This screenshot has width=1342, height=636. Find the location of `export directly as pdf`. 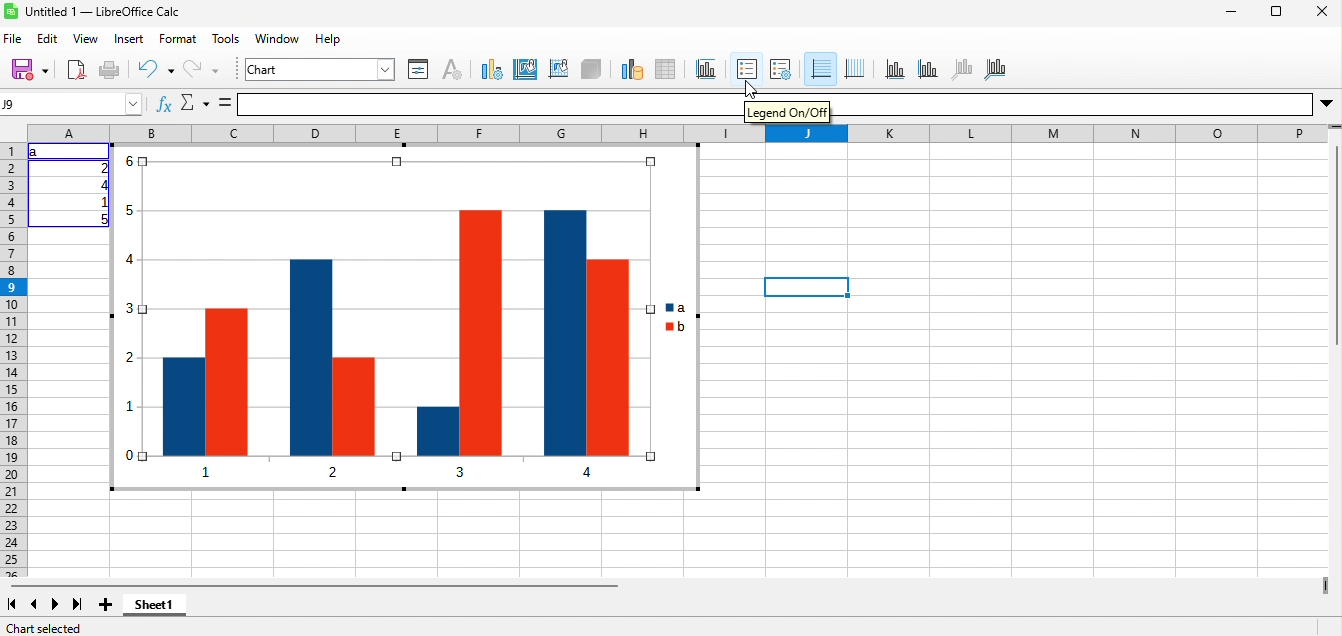

export directly as pdf is located at coordinates (77, 71).